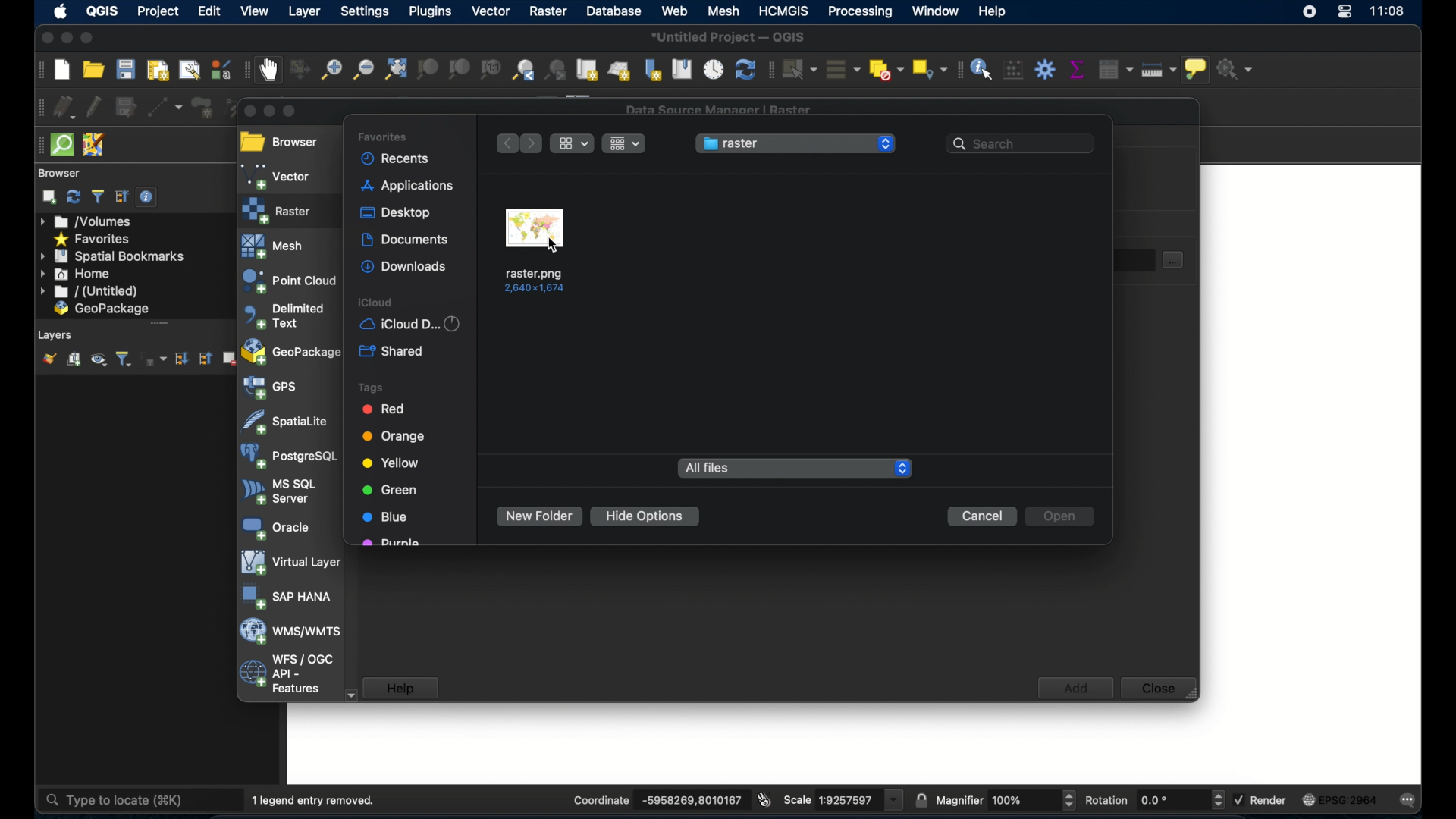 The height and width of the screenshot is (819, 1456). I want to click on ms sql server, so click(284, 491).